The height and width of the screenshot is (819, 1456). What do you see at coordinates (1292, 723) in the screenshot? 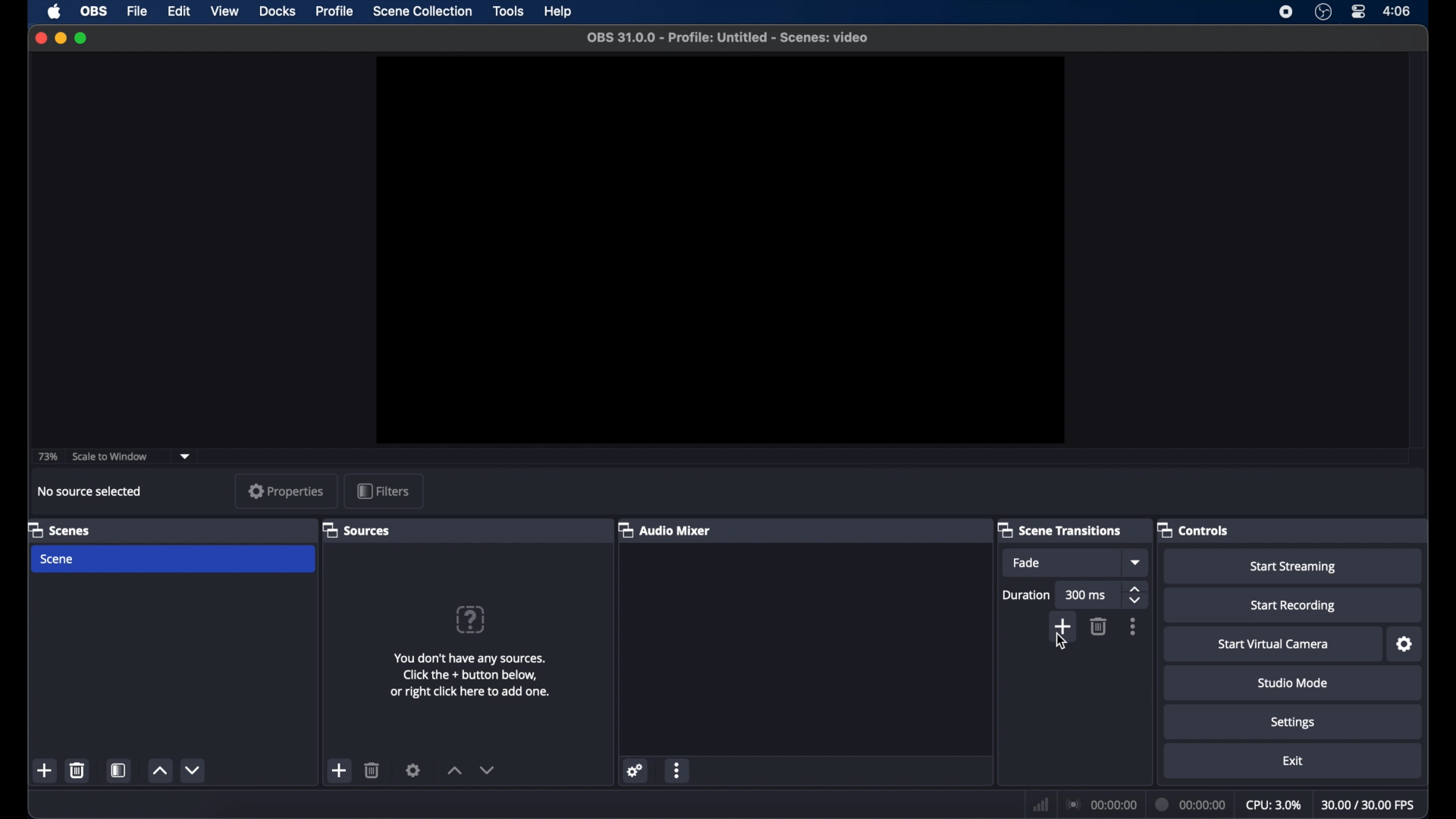
I see `settings` at bounding box center [1292, 723].